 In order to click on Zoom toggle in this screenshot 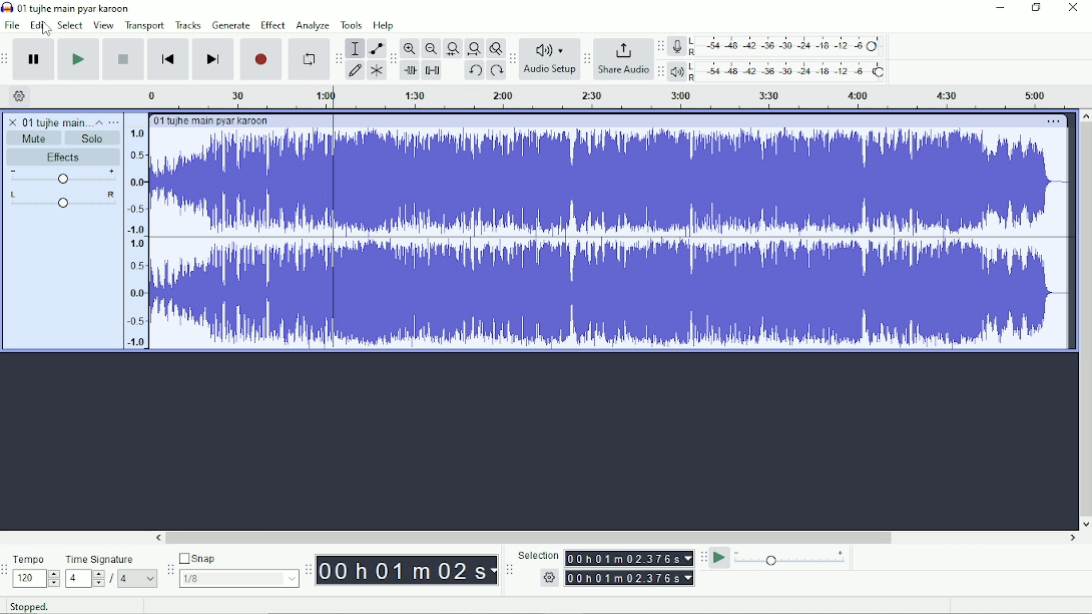, I will do `click(495, 48)`.